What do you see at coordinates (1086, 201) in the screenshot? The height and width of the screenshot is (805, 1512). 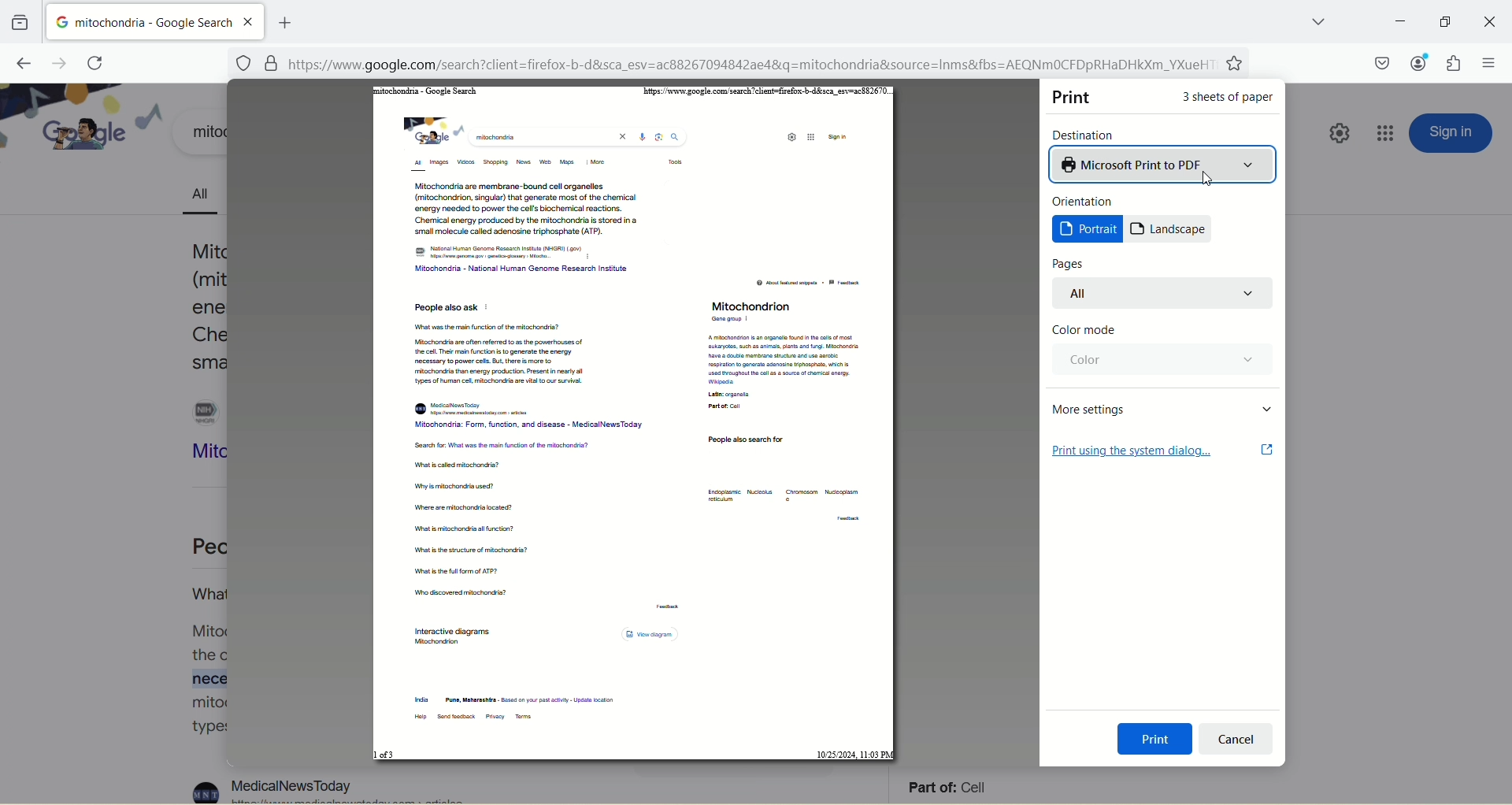 I see `orientation` at bounding box center [1086, 201].